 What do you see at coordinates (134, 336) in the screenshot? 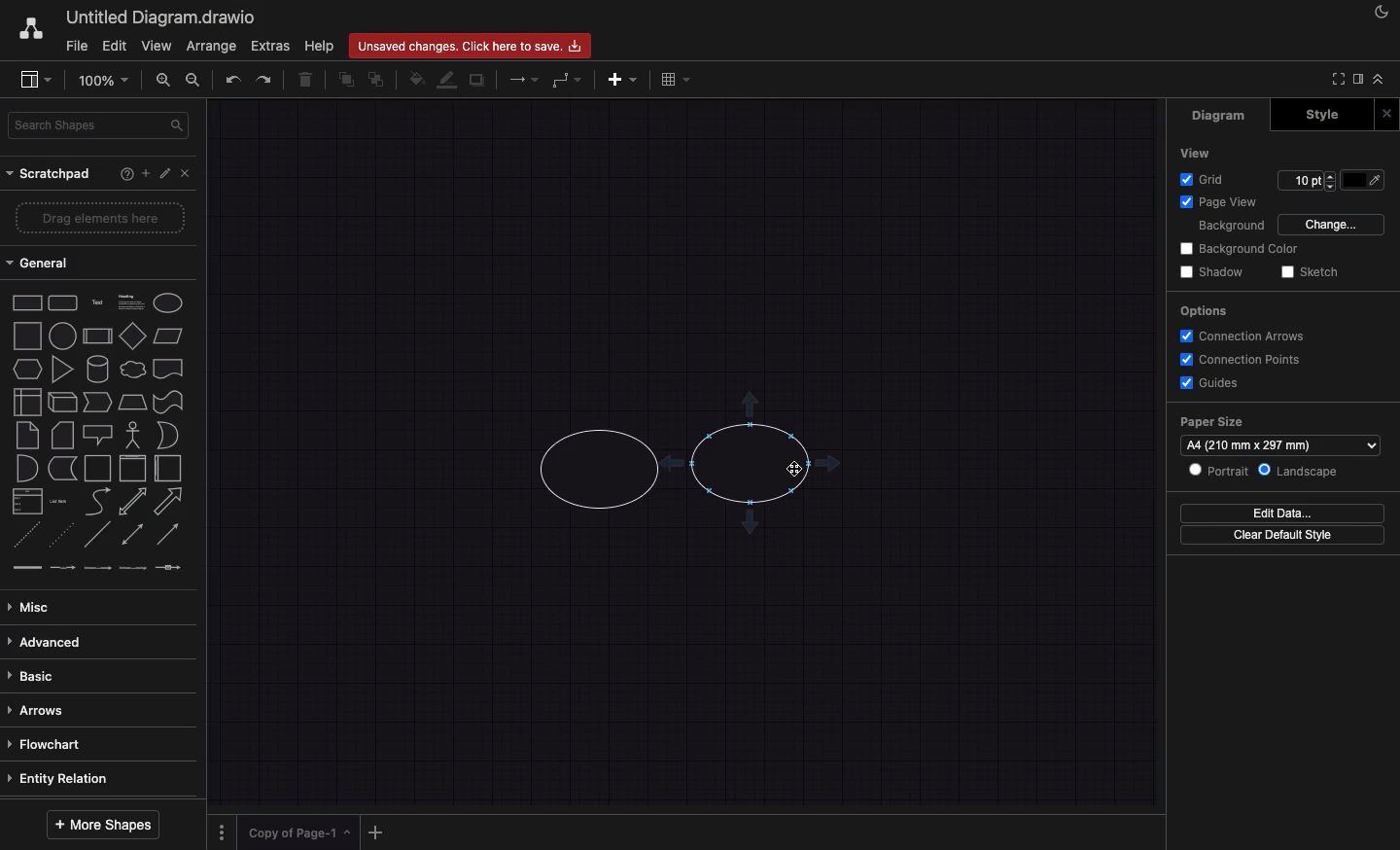
I see `diamond` at bounding box center [134, 336].